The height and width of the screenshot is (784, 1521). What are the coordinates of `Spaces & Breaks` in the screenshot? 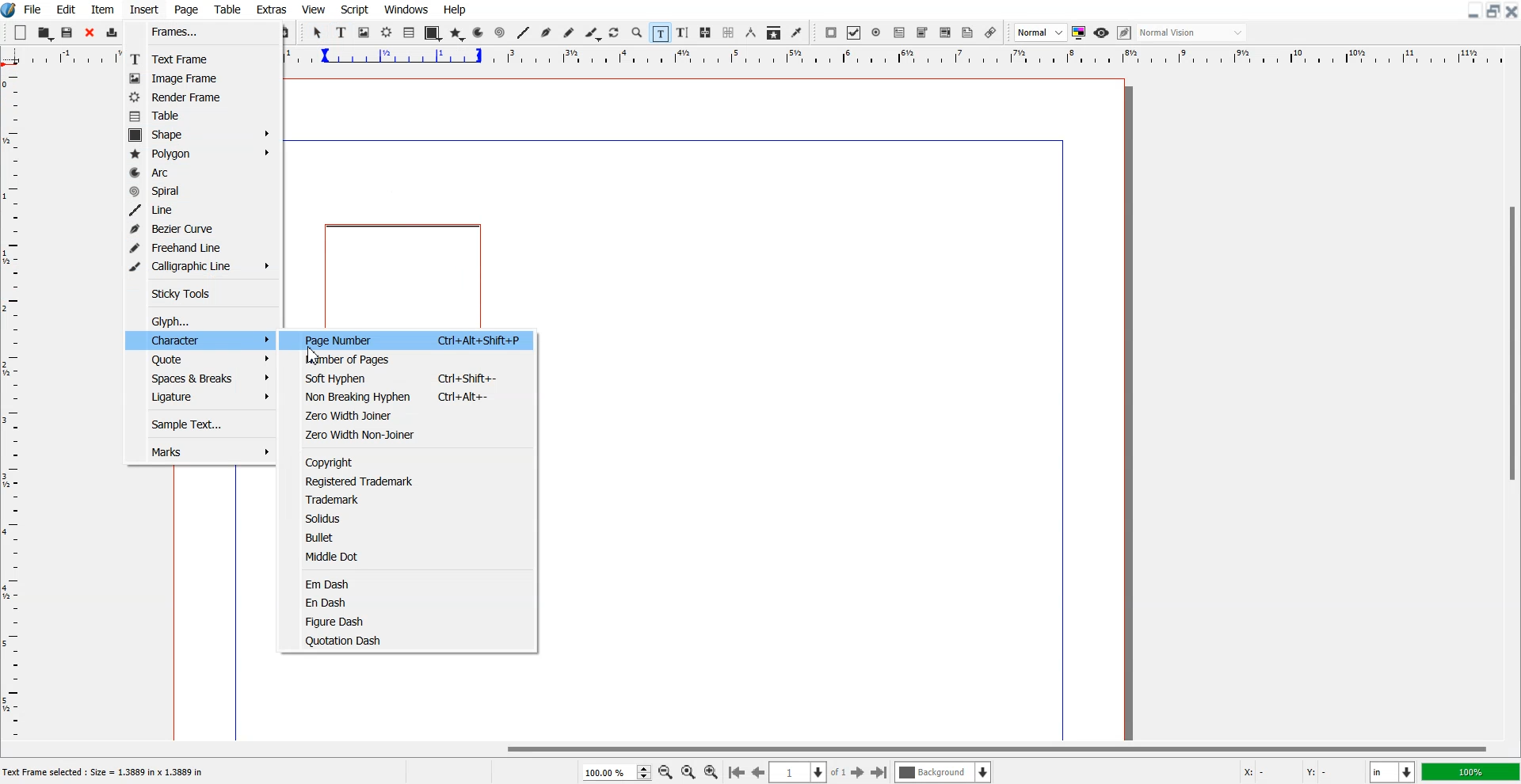 It's located at (199, 376).